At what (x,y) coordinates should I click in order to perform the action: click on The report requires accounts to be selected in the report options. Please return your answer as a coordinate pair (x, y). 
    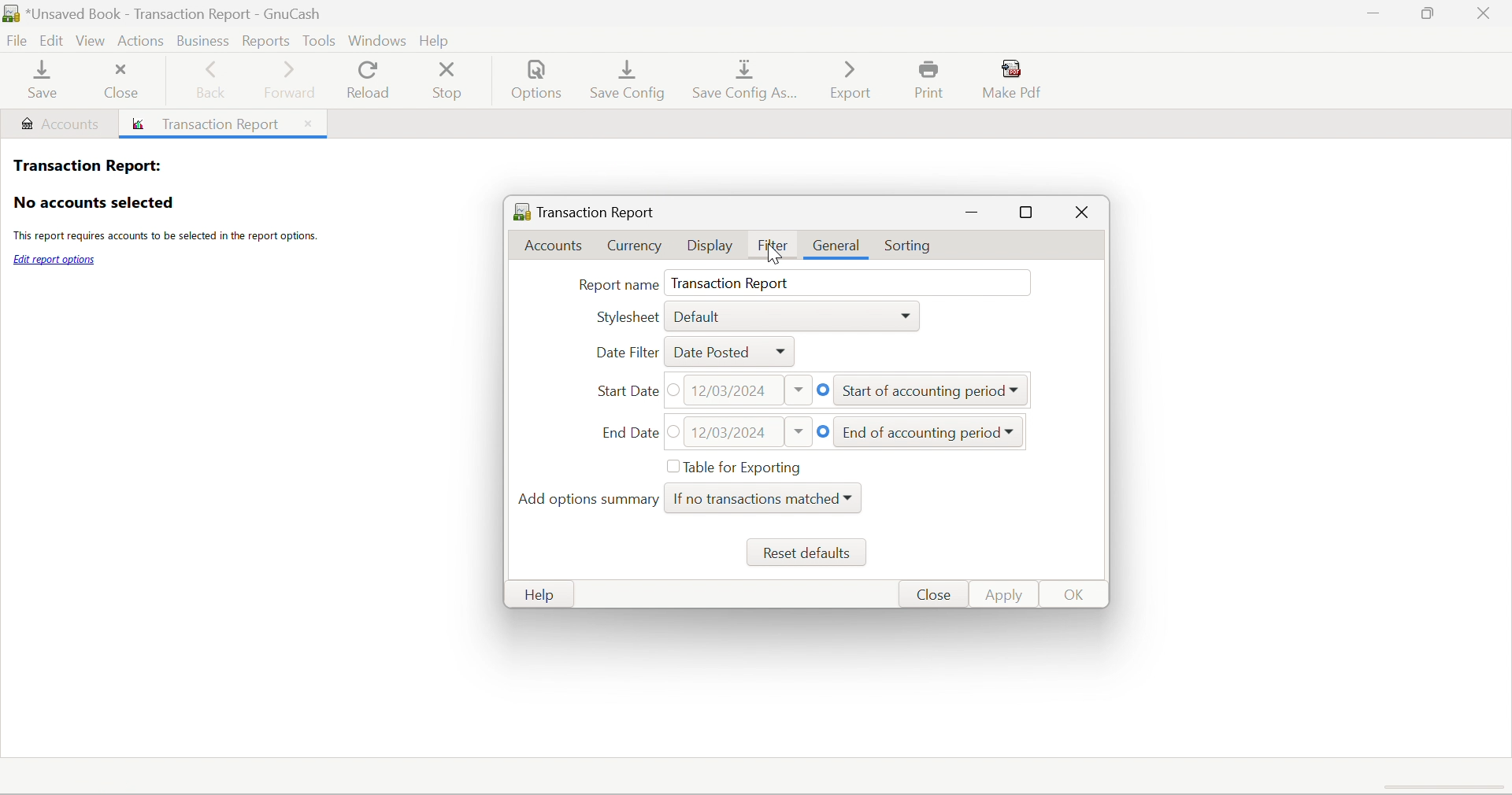
    Looking at the image, I should click on (164, 238).